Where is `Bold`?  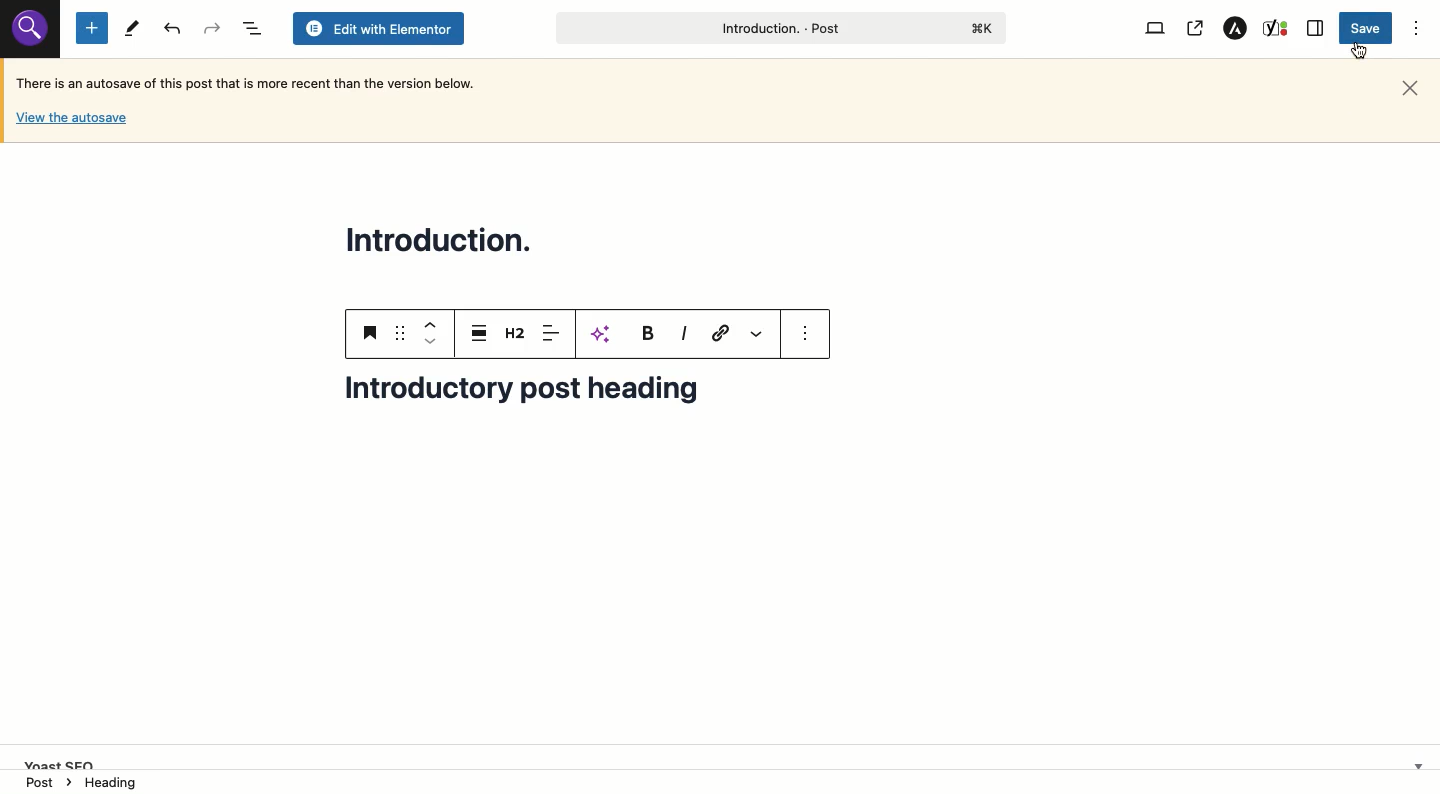 Bold is located at coordinates (646, 332).